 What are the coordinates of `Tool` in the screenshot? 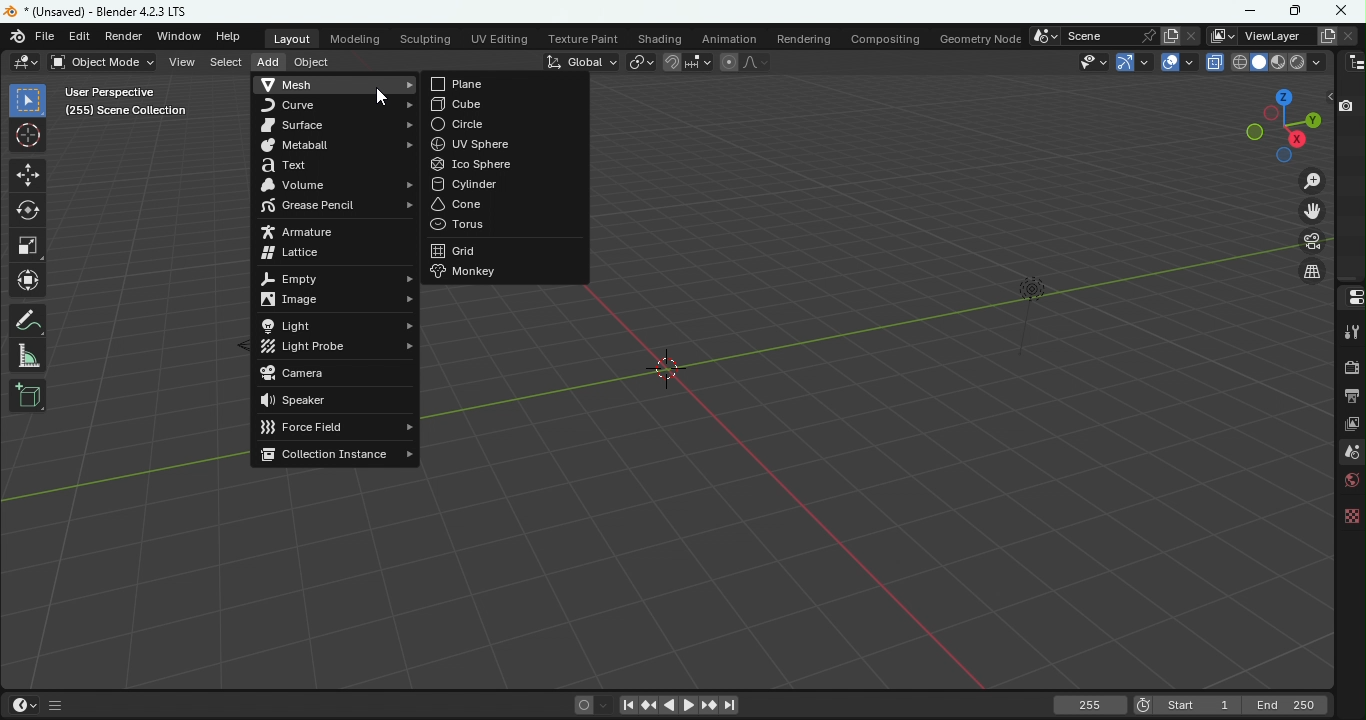 It's located at (1351, 330).